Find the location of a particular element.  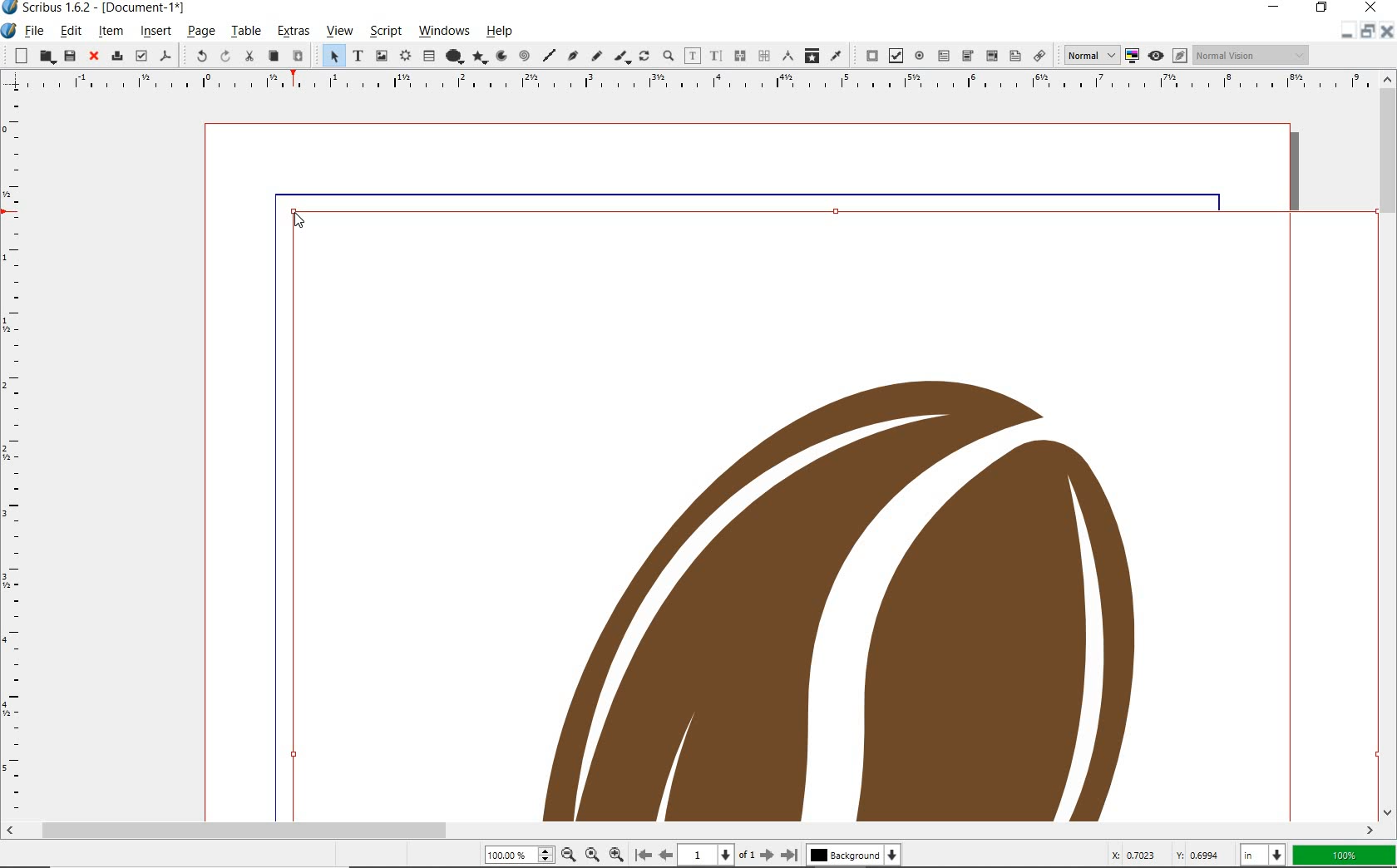

table is located at coordinates (427, 57).